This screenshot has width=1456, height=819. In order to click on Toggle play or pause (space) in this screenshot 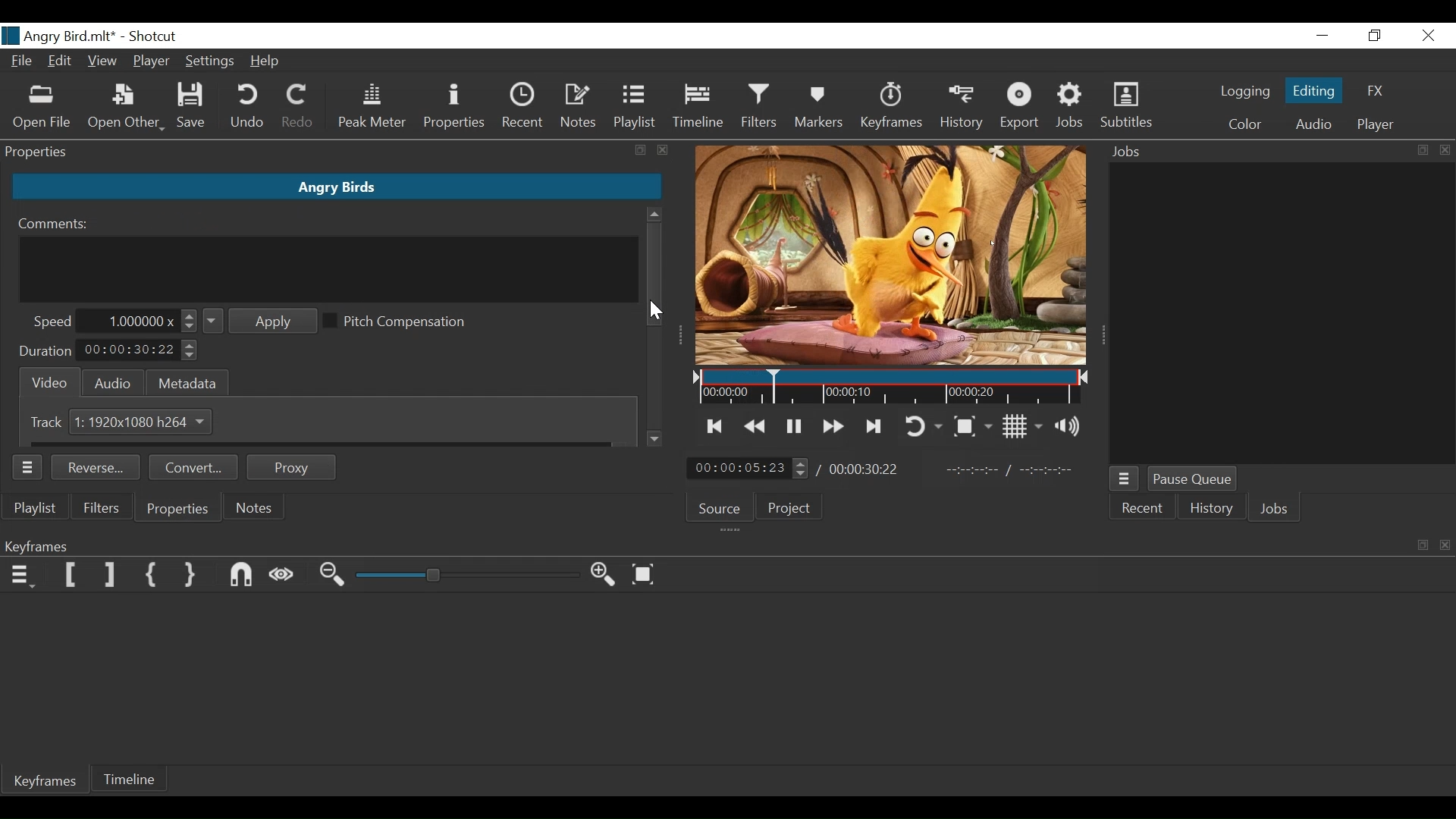, I will do `click(793, 425)`.